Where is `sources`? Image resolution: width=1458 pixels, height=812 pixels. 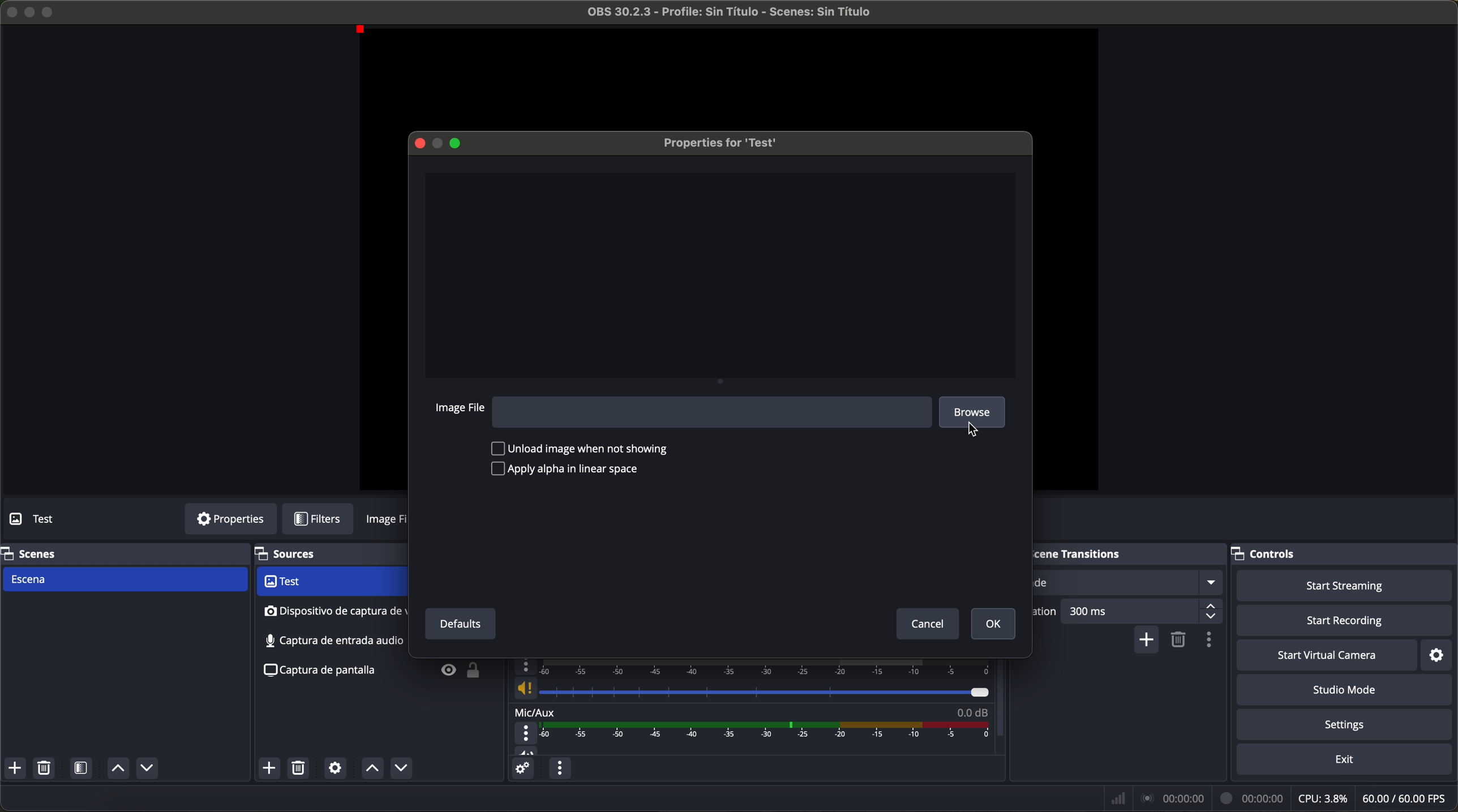 sources is located at coordinates (300, 555).